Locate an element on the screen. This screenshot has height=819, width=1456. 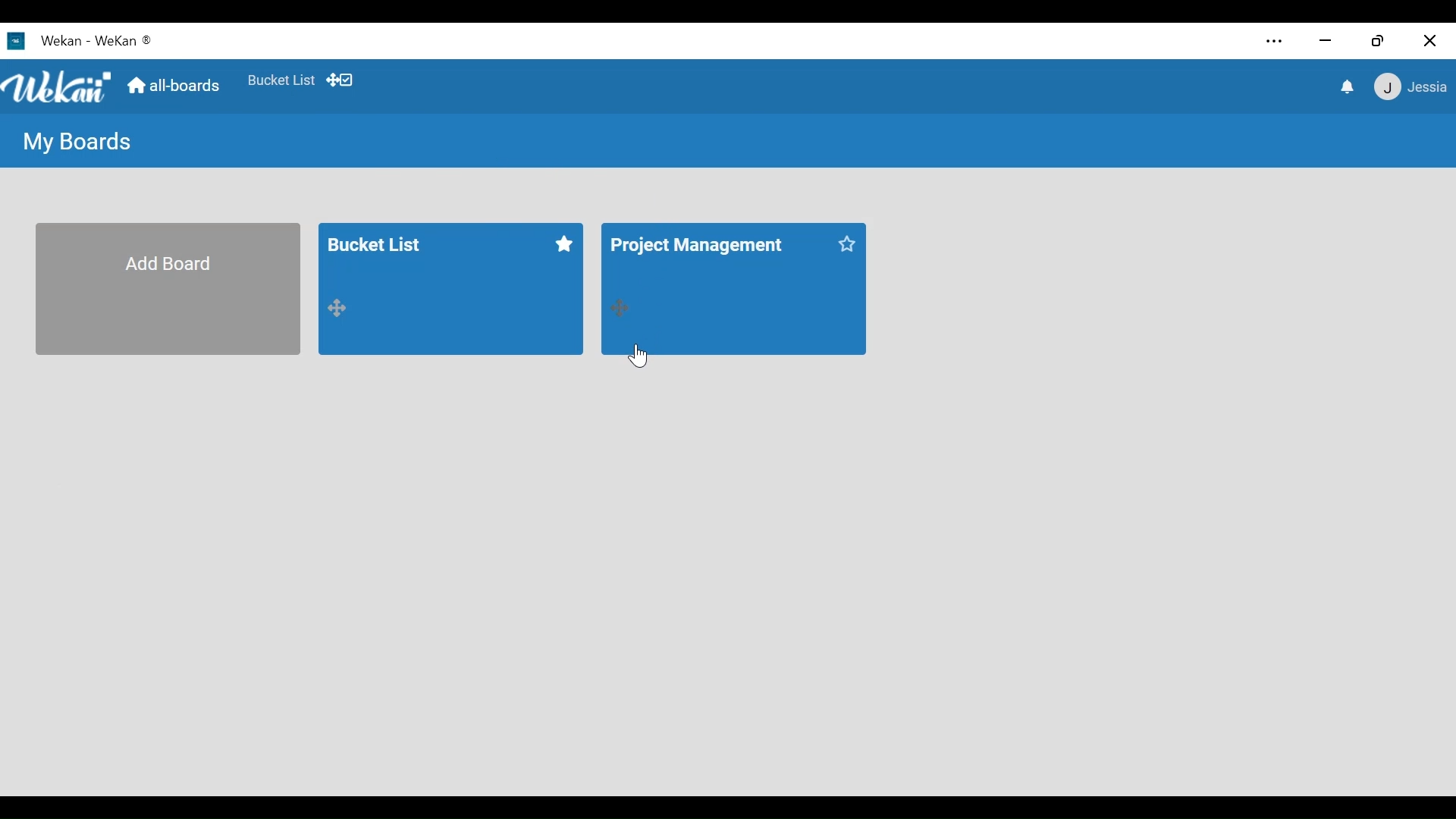
Wekan logo is located at coordinates (59, 89).